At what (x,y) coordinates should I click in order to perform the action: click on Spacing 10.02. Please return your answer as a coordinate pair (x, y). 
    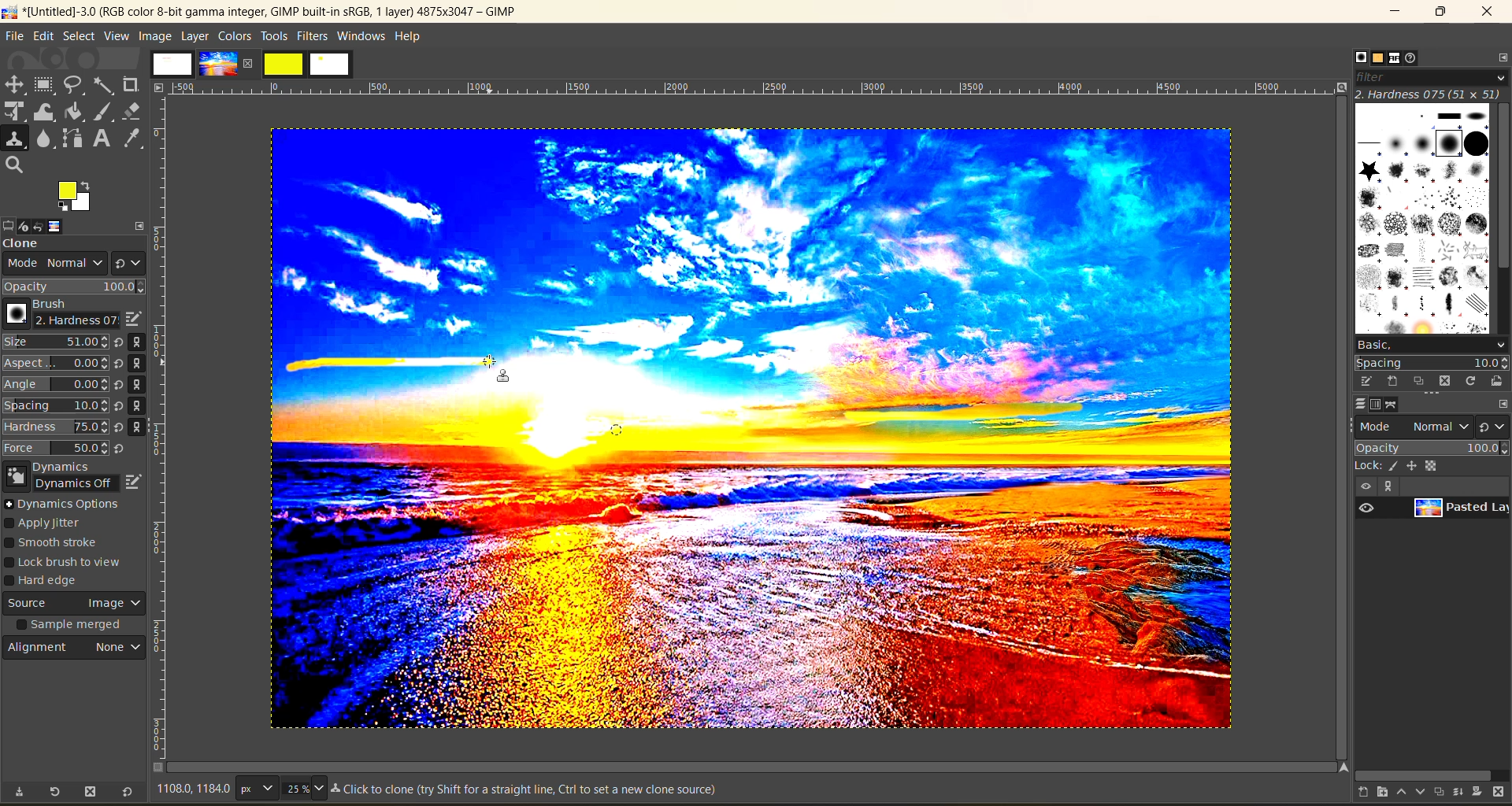
    Looking at the image, I should click on (57, 405).